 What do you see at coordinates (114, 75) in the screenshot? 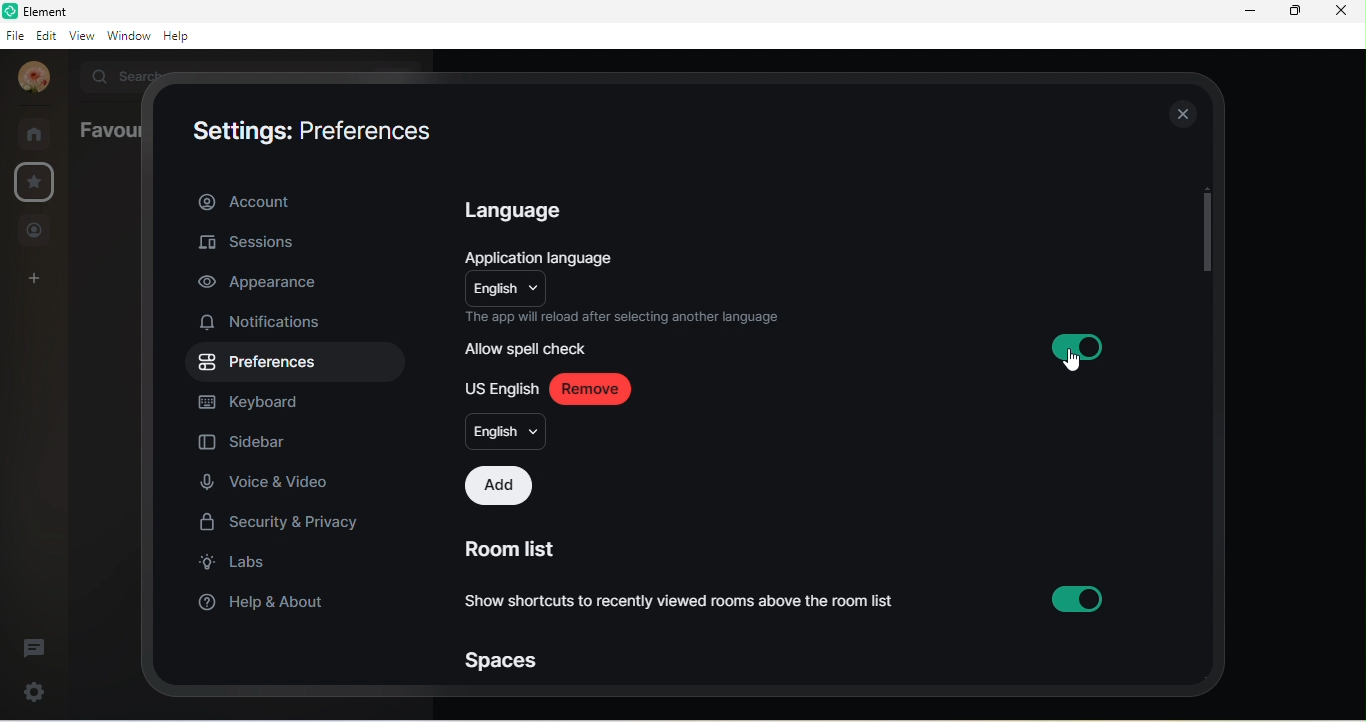
I see `search` at bounding box center [114, 75].